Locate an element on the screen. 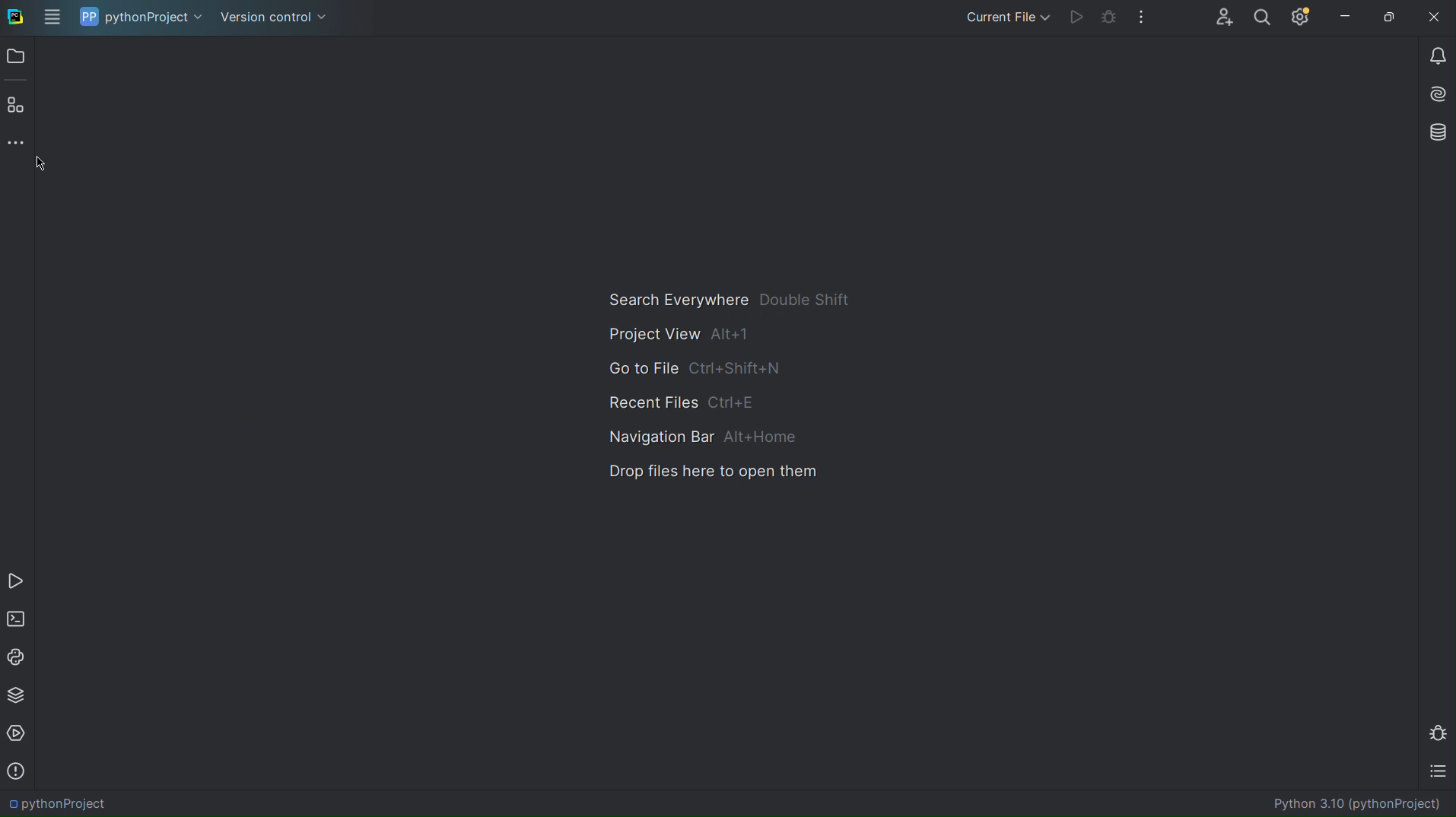 This screenshot has height=817, width=1456. Structure is located at coordinates (14, 104).